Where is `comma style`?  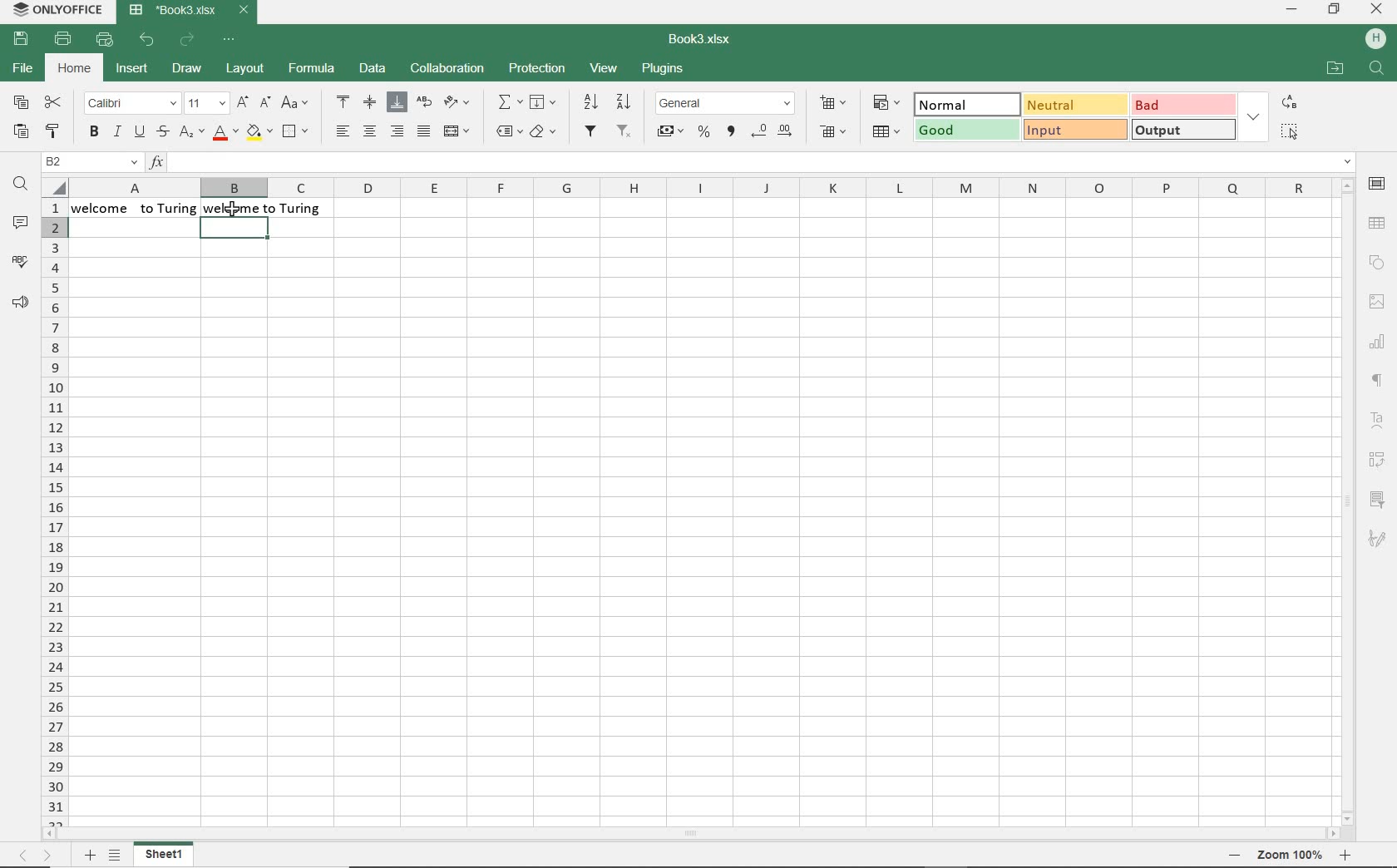
comma style is located at coordinates (731, 132).